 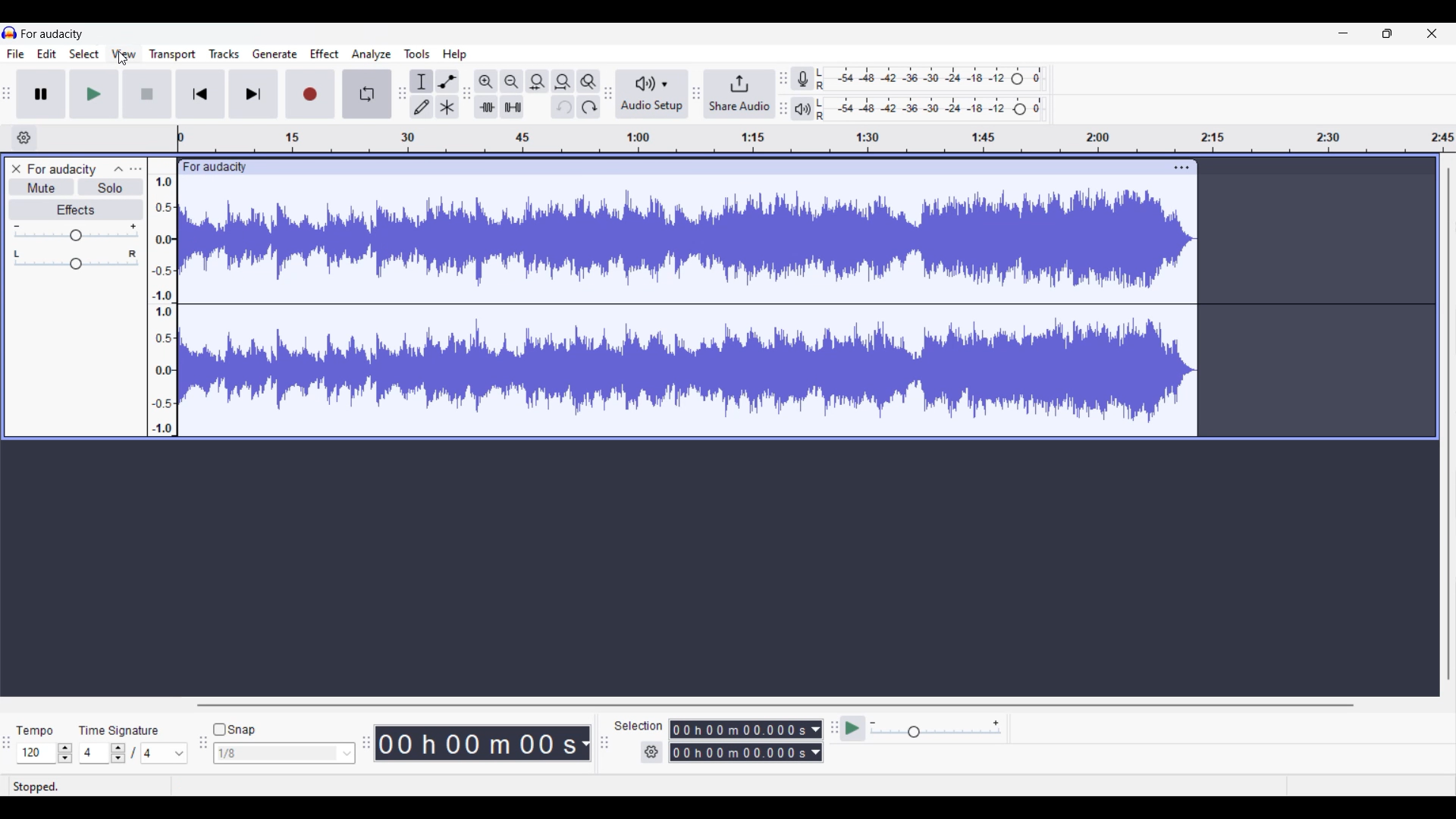 What do you see at coordinates (851, 729) in the screenshot?
I see `play at speed` at bounding box center [851, 729].